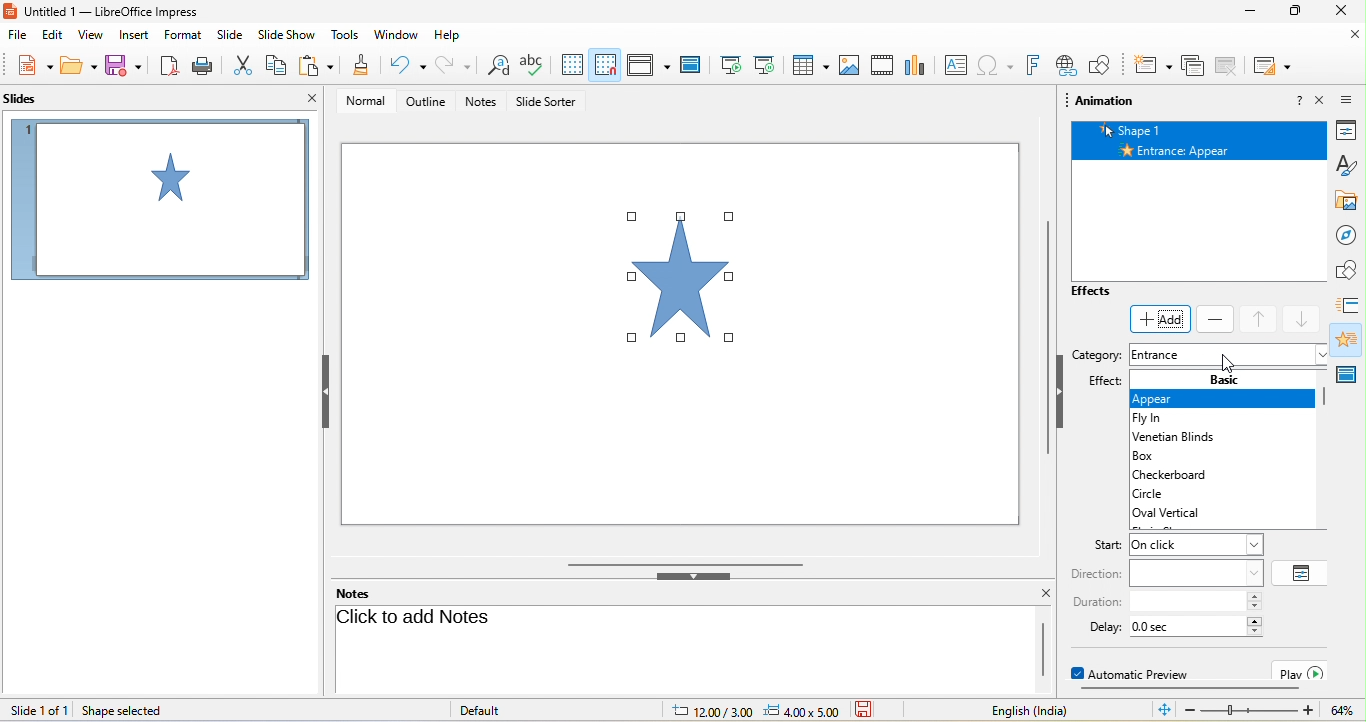 This screenshot has height=722, width=1366. What do you see at coordinates (1221, 399) in the screenshot?
I see `appear` at bounding box center [1221, 399].